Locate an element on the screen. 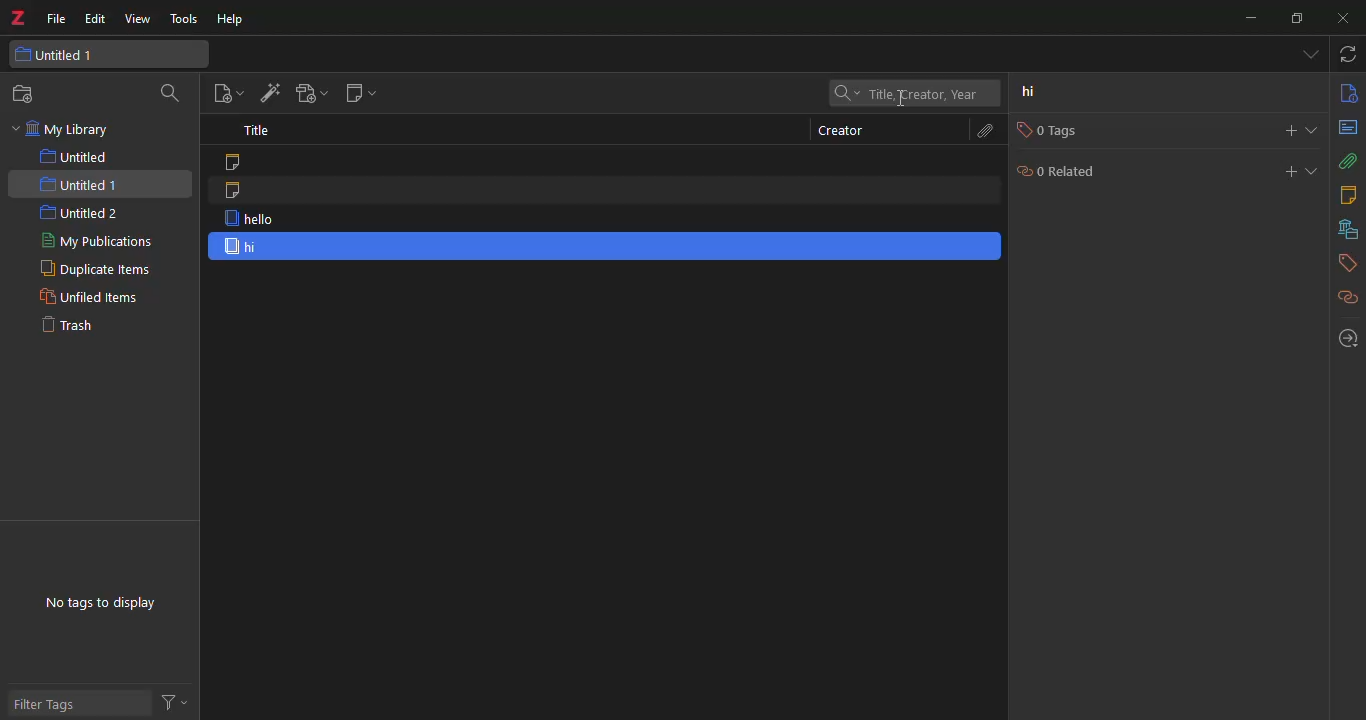 The height and width of the screenshot is (720, 1366). untitled 1 is located at coordinates (80, 185).